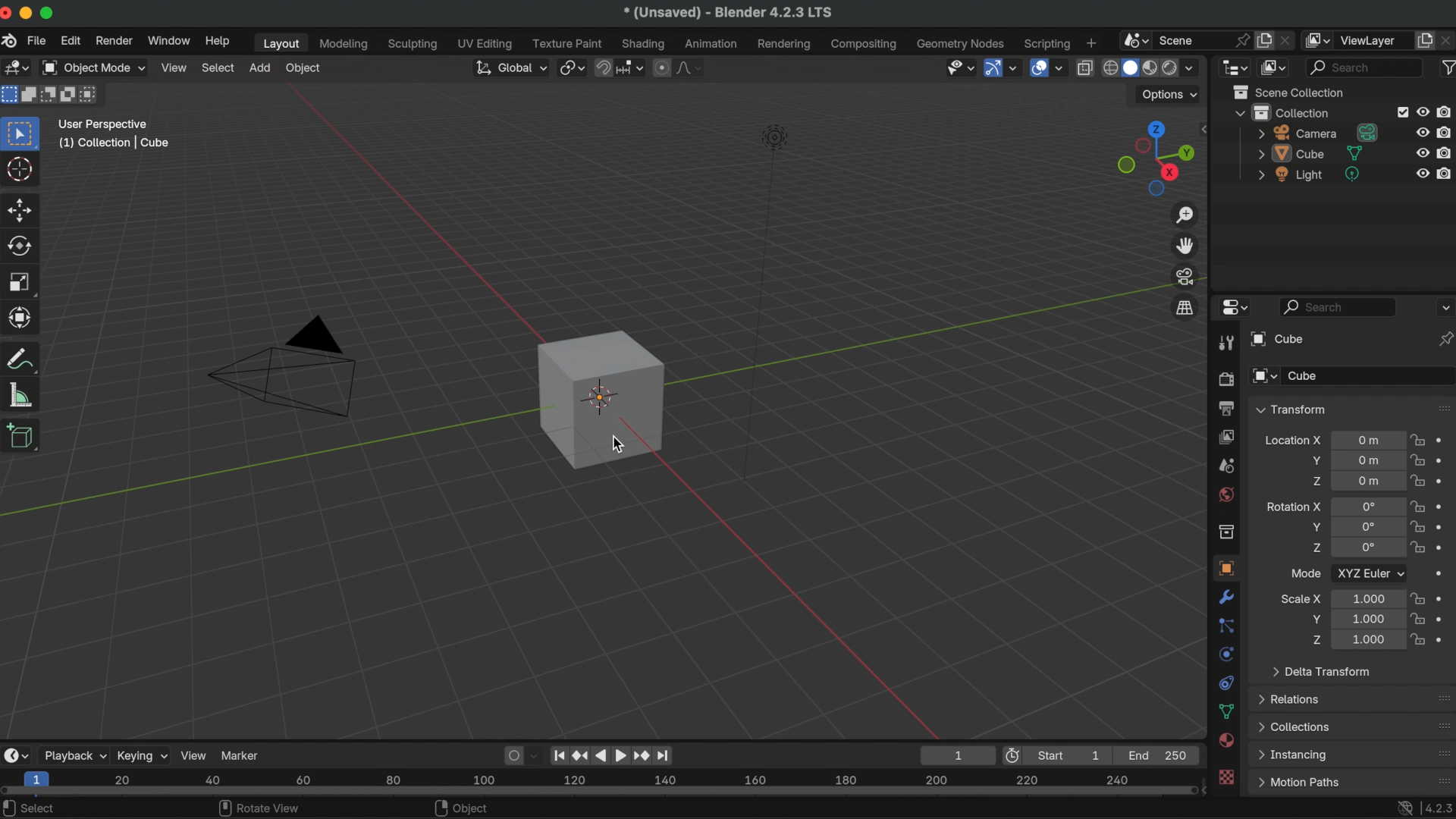 The width and height of the screenshot is (1456, 819). Describe the element at coordinates (1420, 637) in the screenshot. I see `lock scale` at that location.